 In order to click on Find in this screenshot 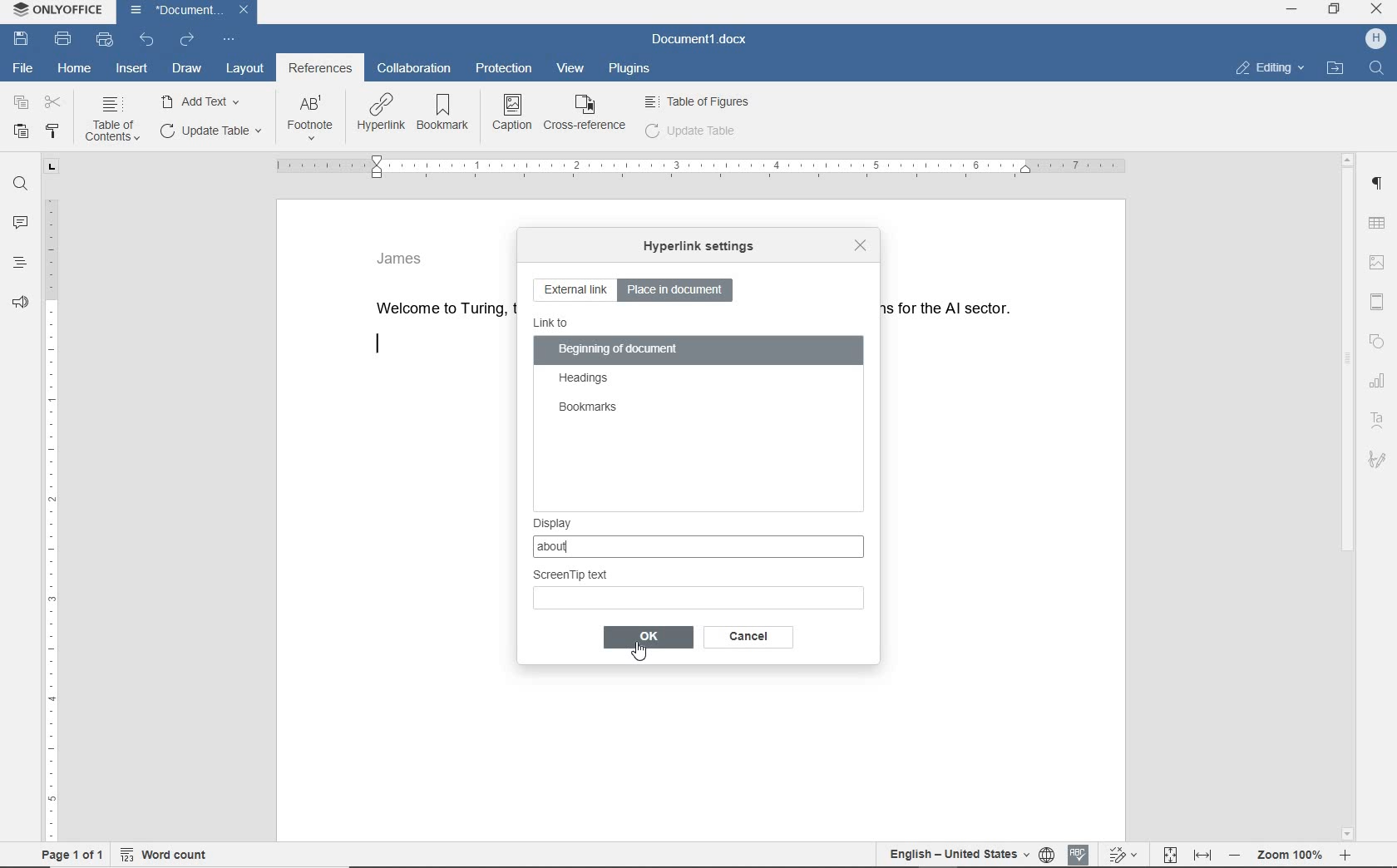, I will do `click(1380, 67)`.